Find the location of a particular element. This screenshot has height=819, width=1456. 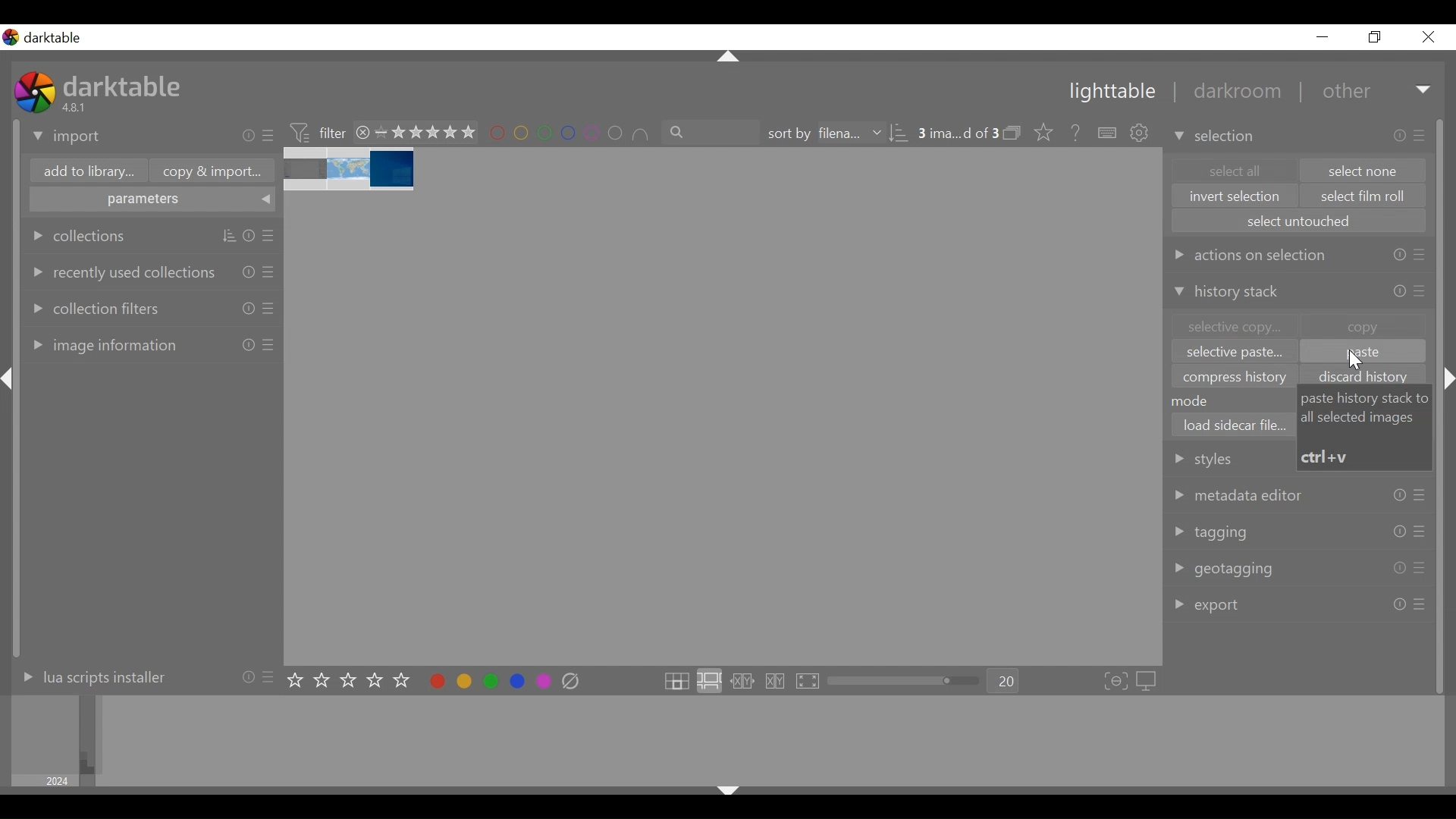

cursor is located at coordinates (1357, 361).